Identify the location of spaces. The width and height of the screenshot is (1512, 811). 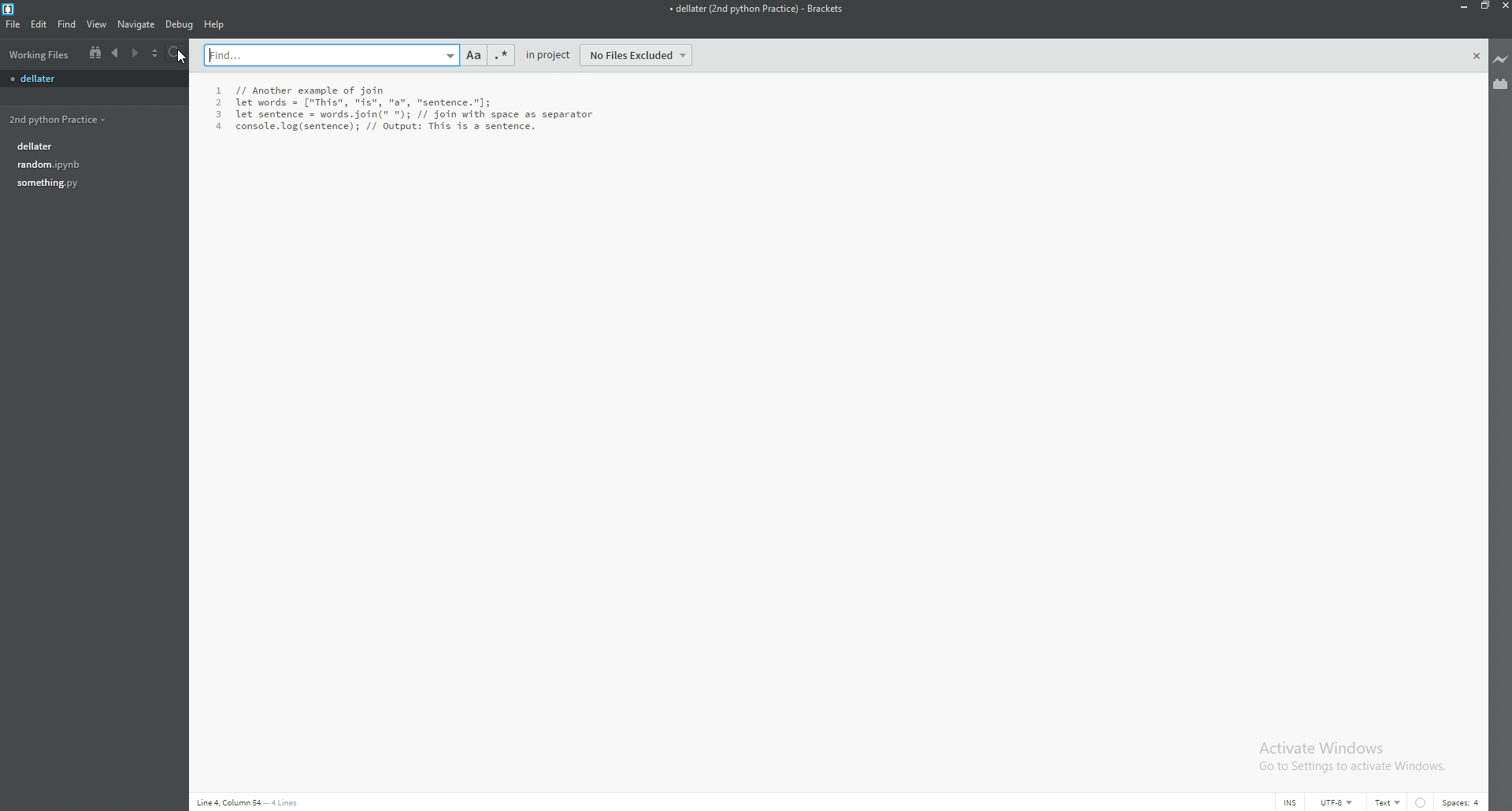
(1462, 802).